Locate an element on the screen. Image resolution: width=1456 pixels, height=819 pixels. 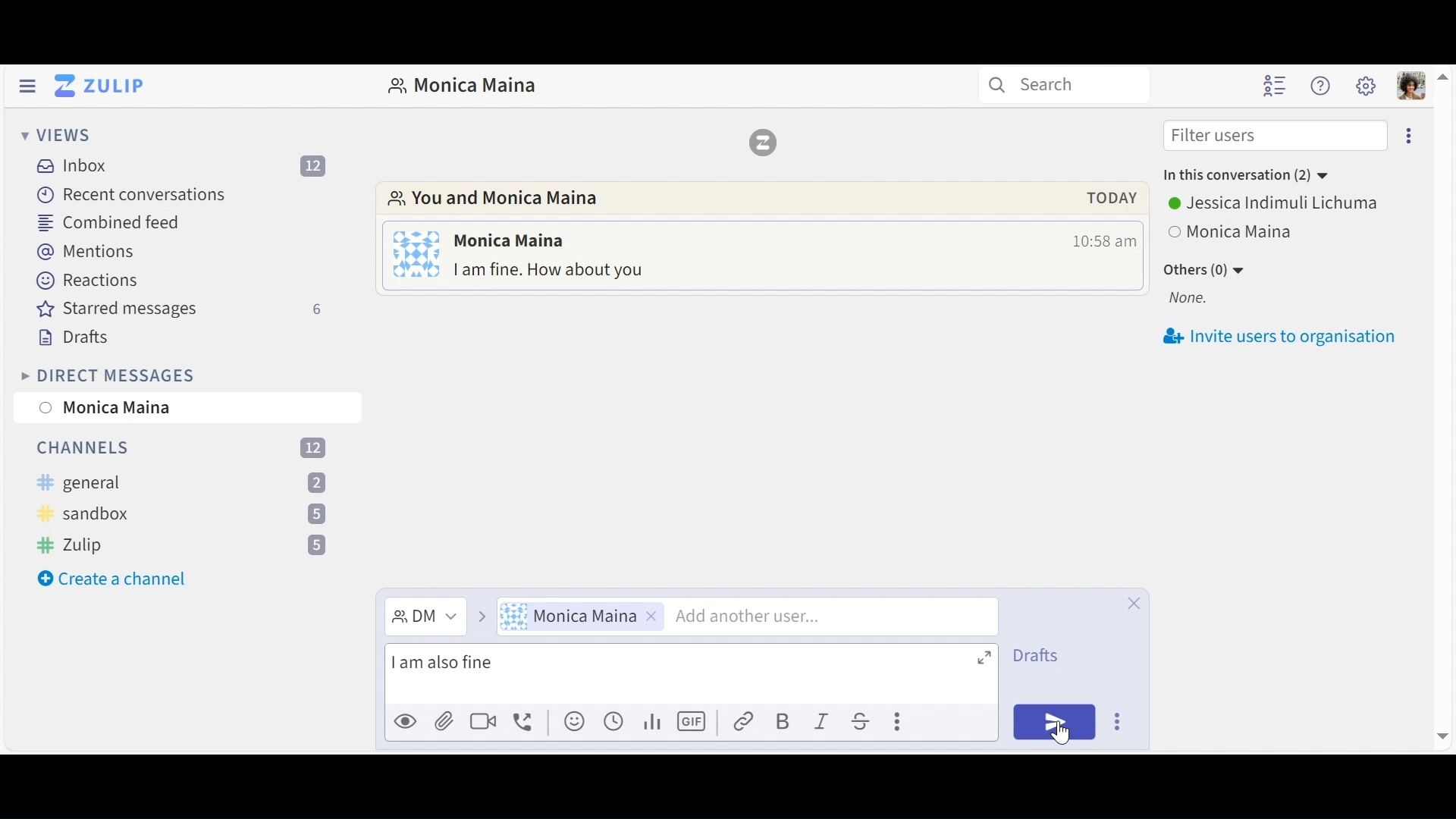
Go to Direct messages with this user is located at coordinates (495, 201).